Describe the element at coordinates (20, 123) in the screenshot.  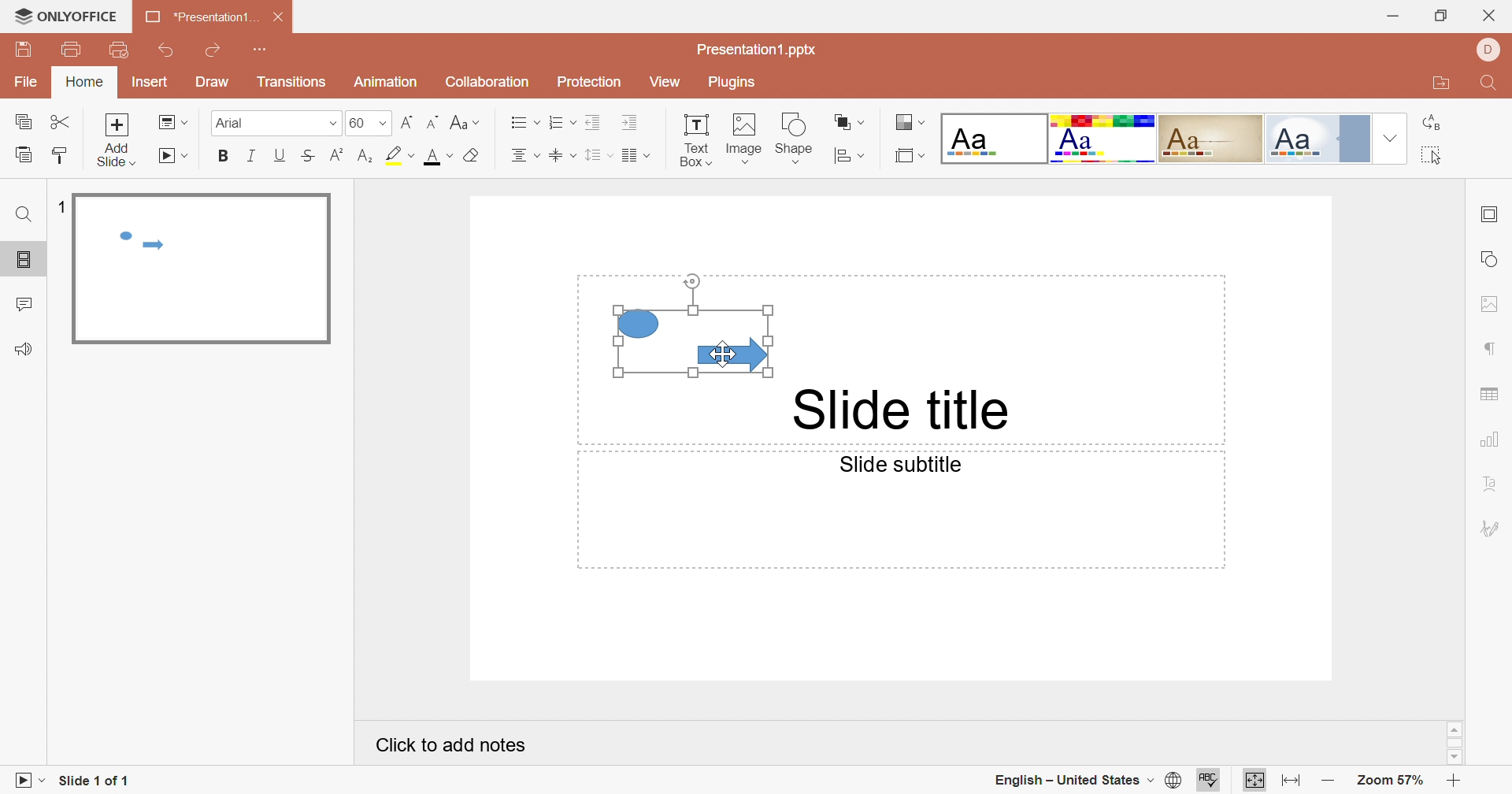
I see `Copy` at that location.